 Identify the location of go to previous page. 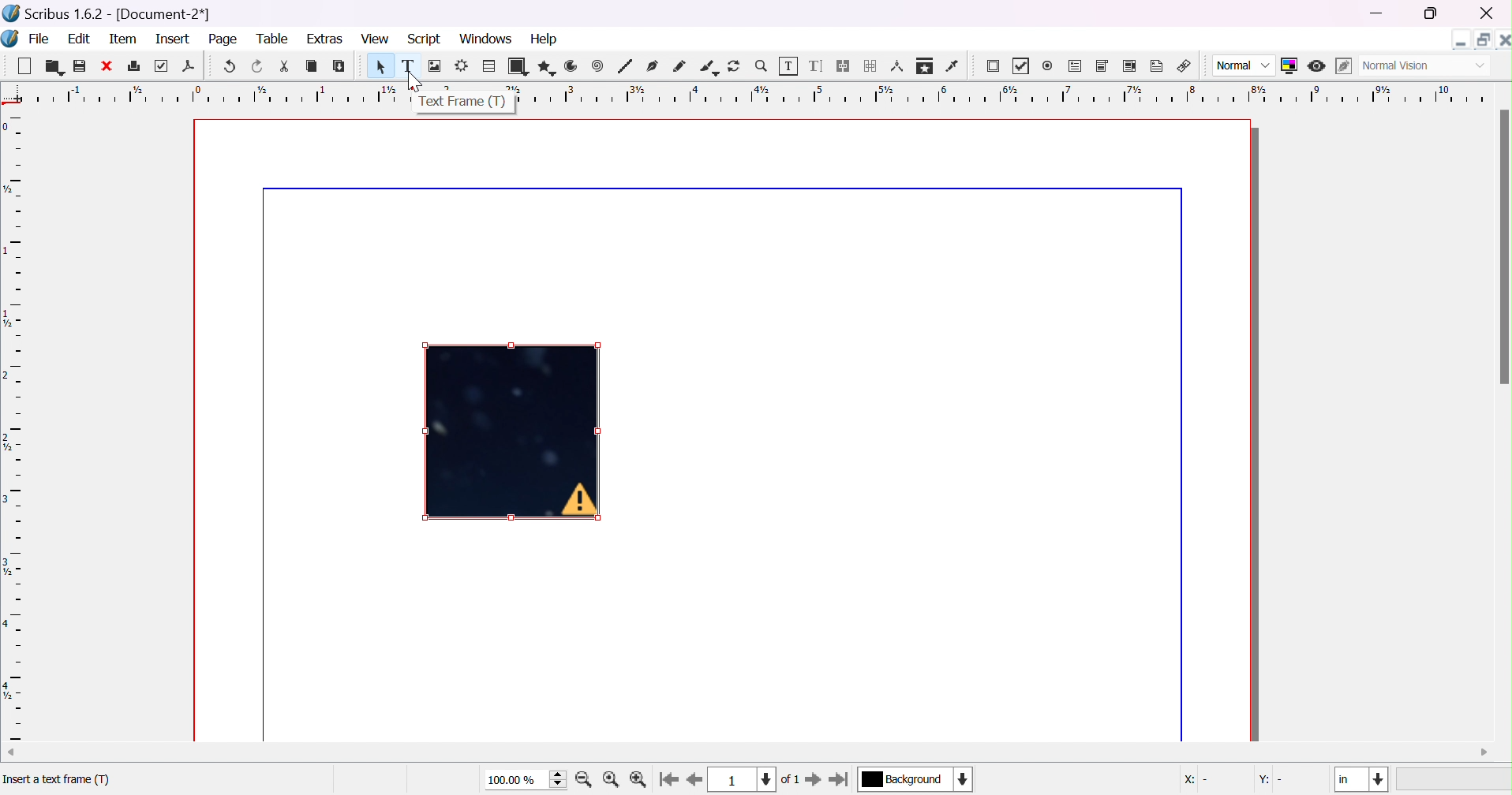
(693, 781).